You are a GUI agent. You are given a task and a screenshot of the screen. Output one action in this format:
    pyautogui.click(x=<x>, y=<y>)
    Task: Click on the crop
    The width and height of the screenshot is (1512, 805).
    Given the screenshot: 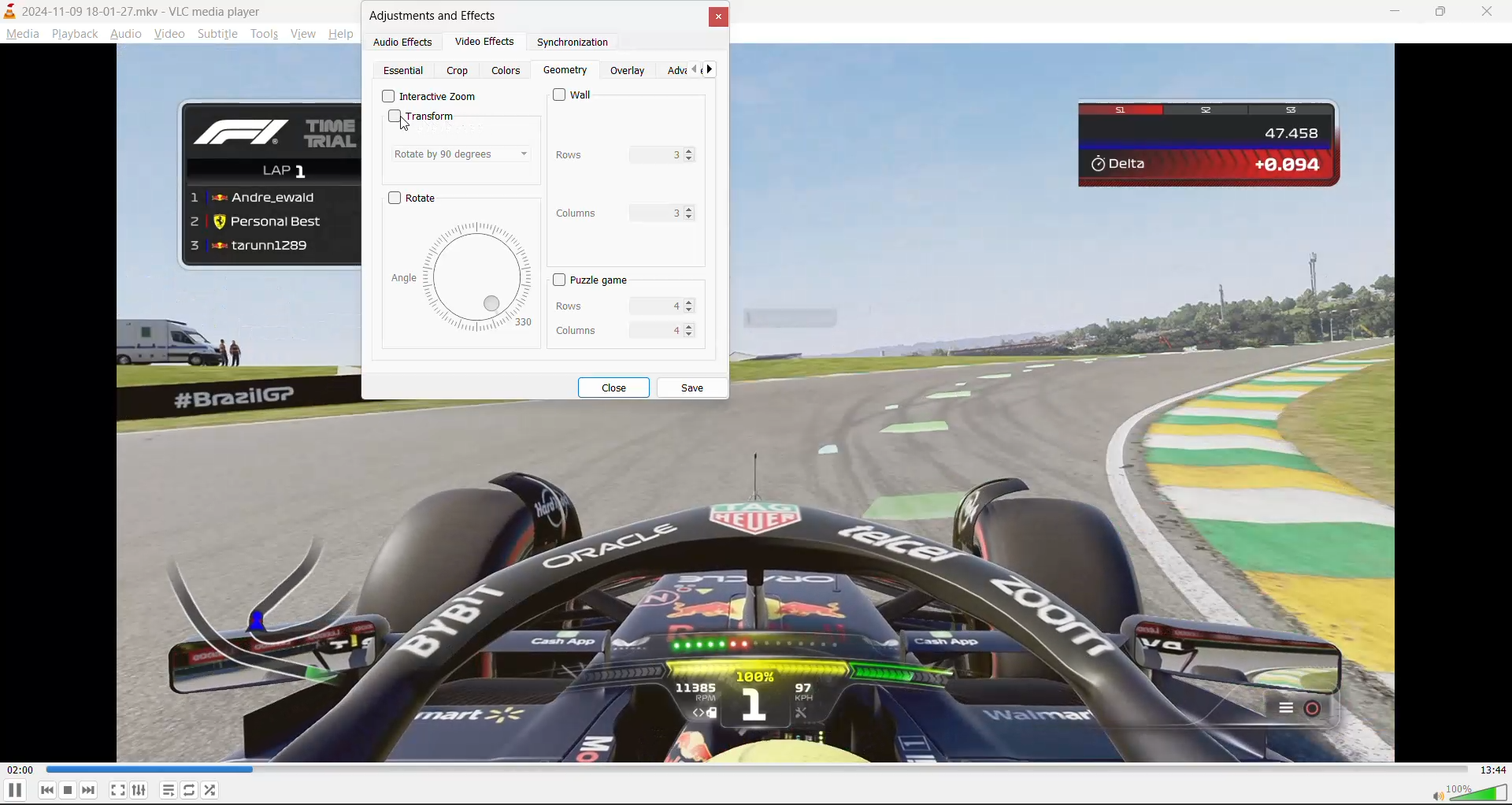 What is the action you would take?
    pyautogui.click(x=461, y=72)
    